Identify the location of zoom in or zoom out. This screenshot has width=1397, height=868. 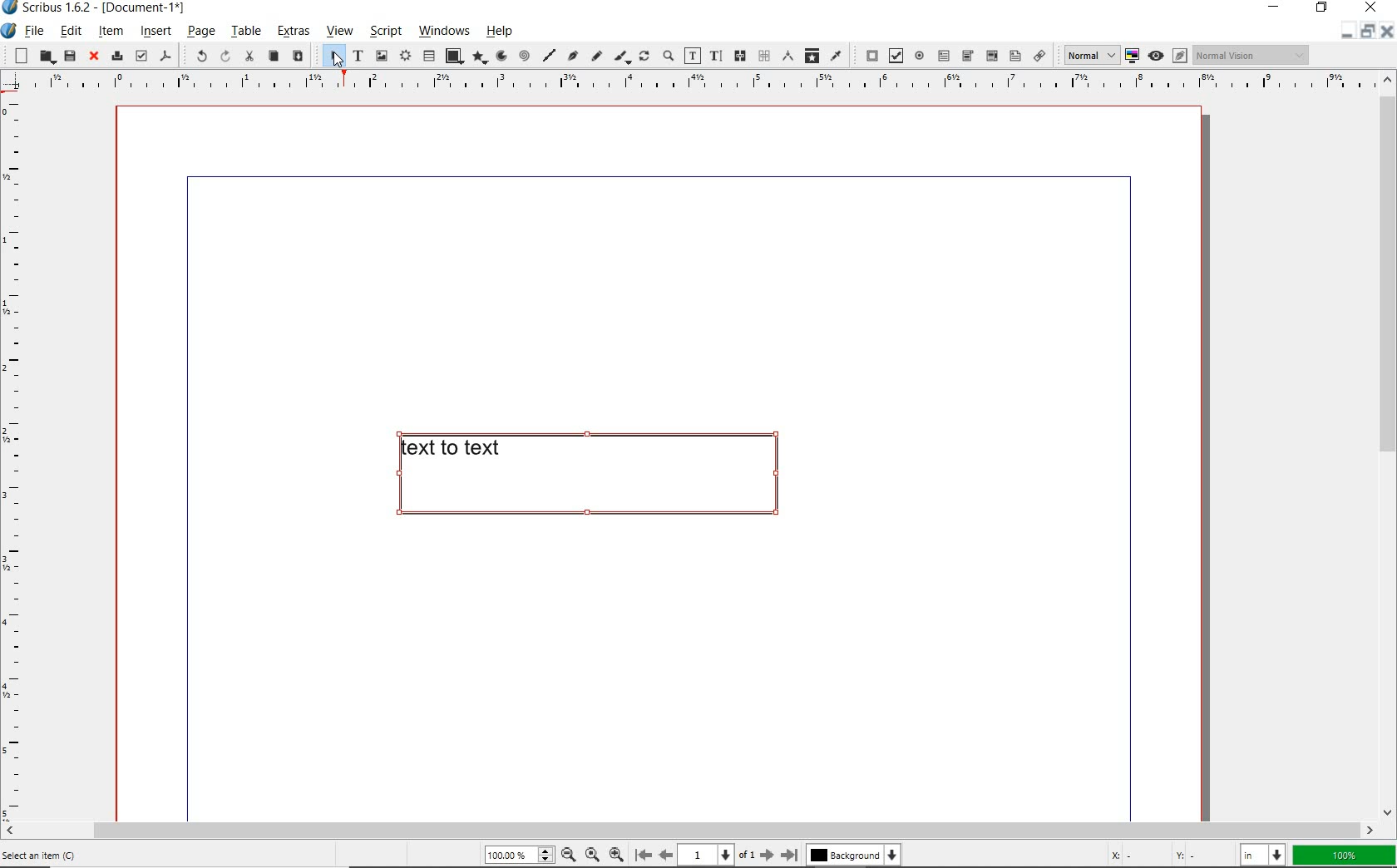
(668, 57).